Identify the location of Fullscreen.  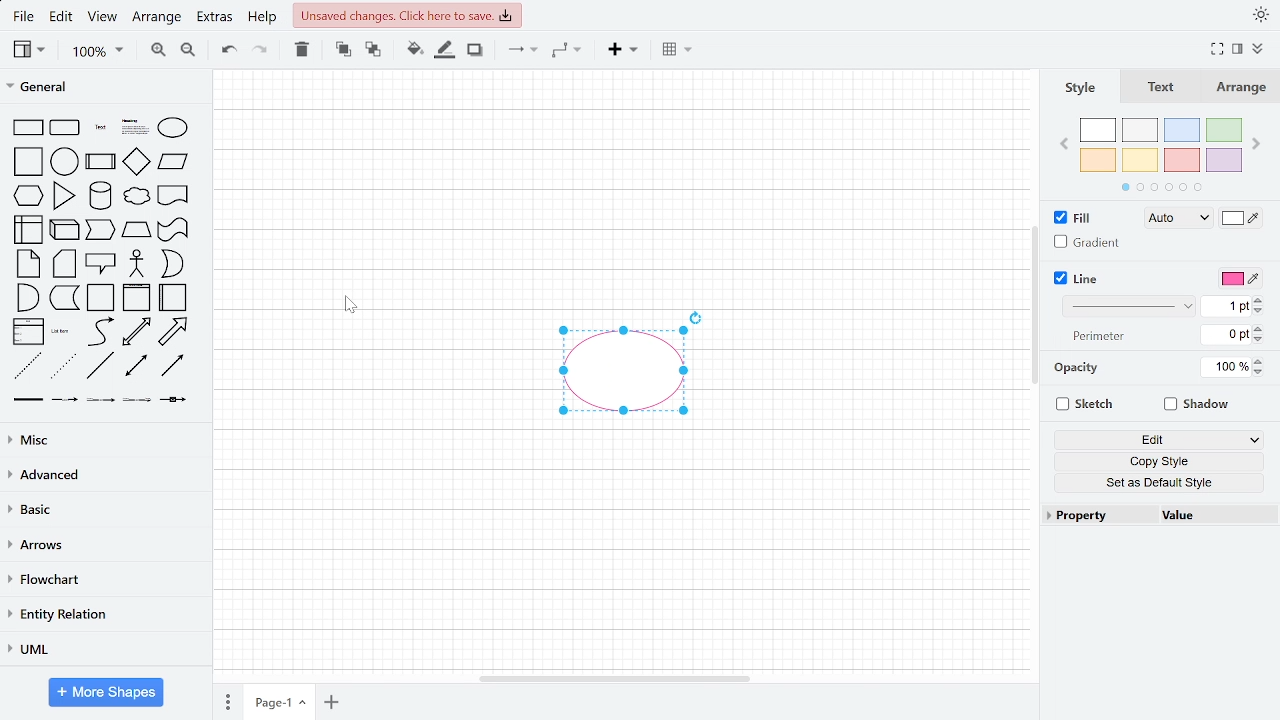
(1217, 49).